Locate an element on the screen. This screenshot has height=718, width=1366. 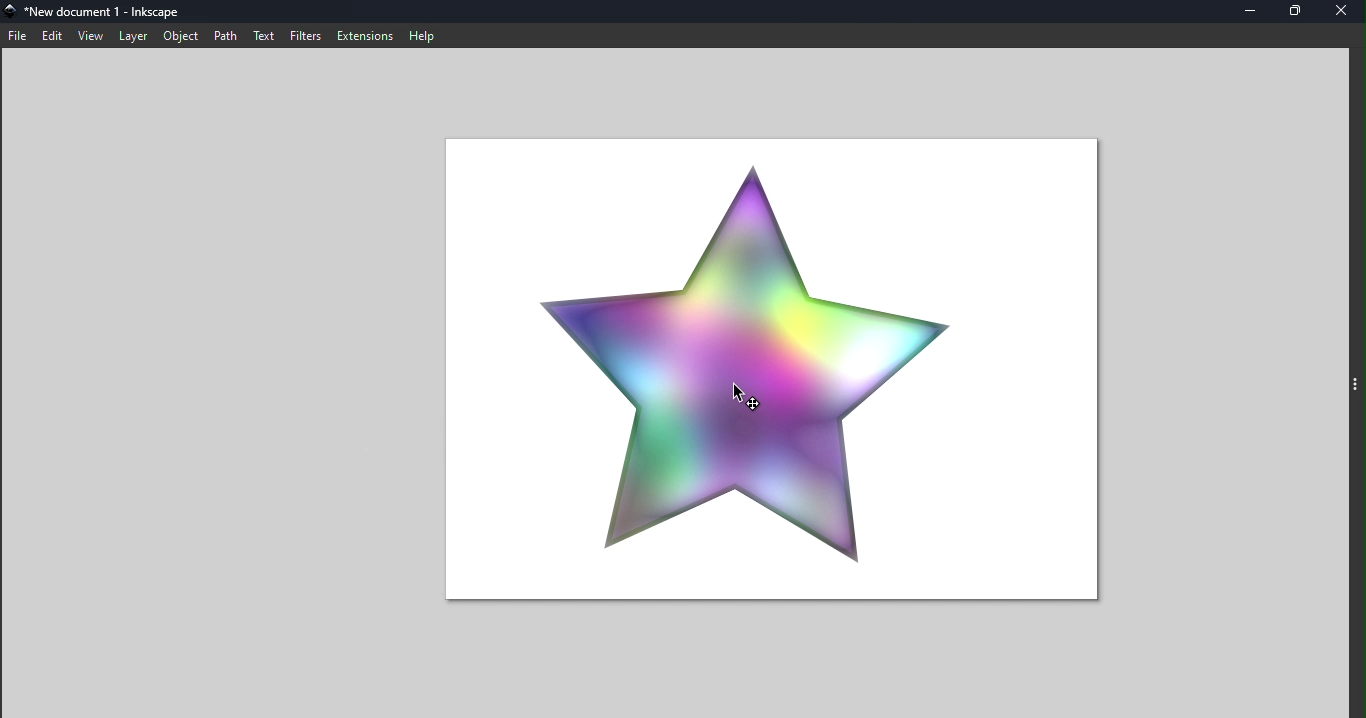
Text is located at coordinates (266, 37).